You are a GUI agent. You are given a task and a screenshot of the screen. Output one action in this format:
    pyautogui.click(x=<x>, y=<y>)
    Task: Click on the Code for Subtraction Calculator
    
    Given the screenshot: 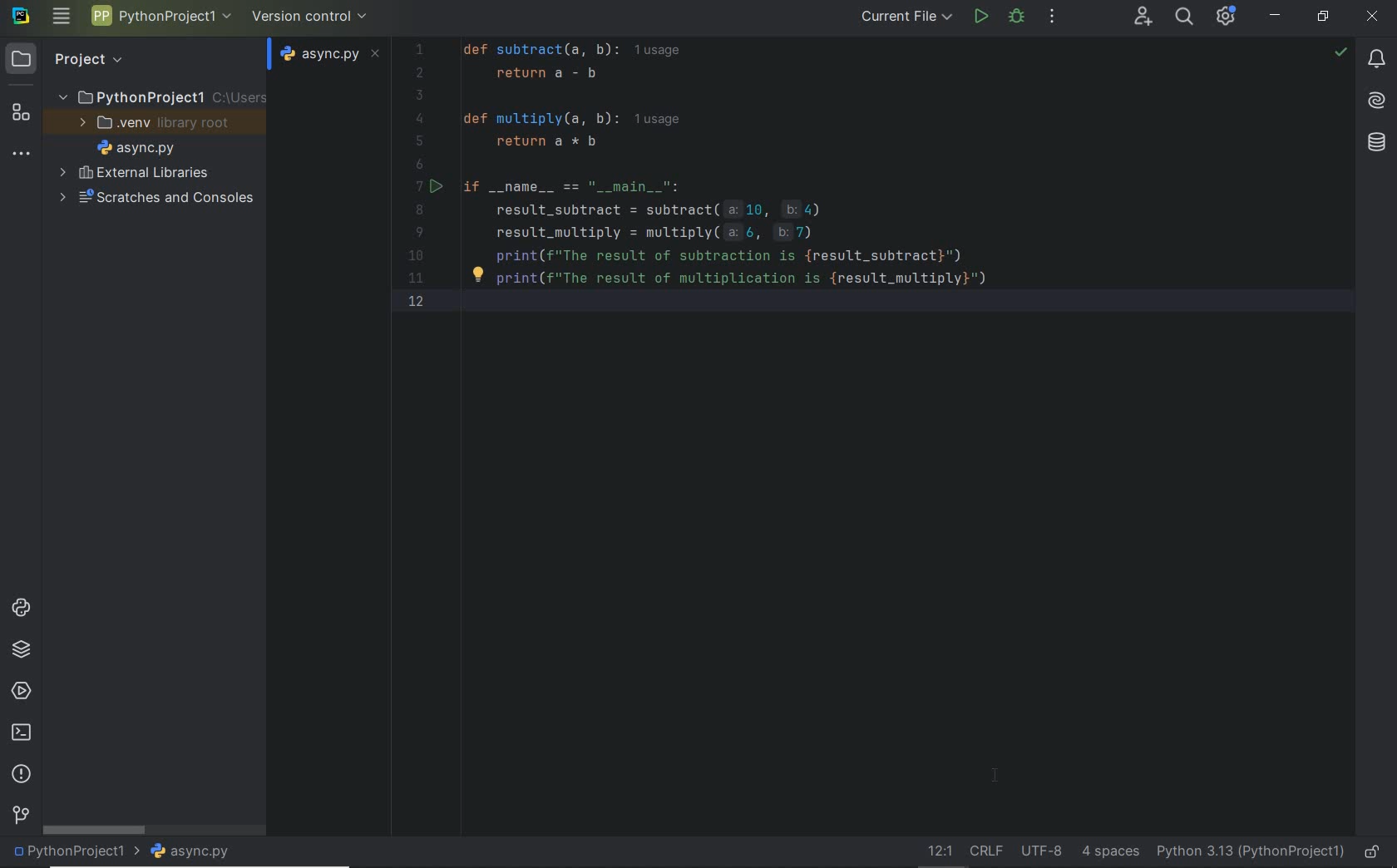 What is the action you would take?
    pyautogui.click(x=732, y=178)
    